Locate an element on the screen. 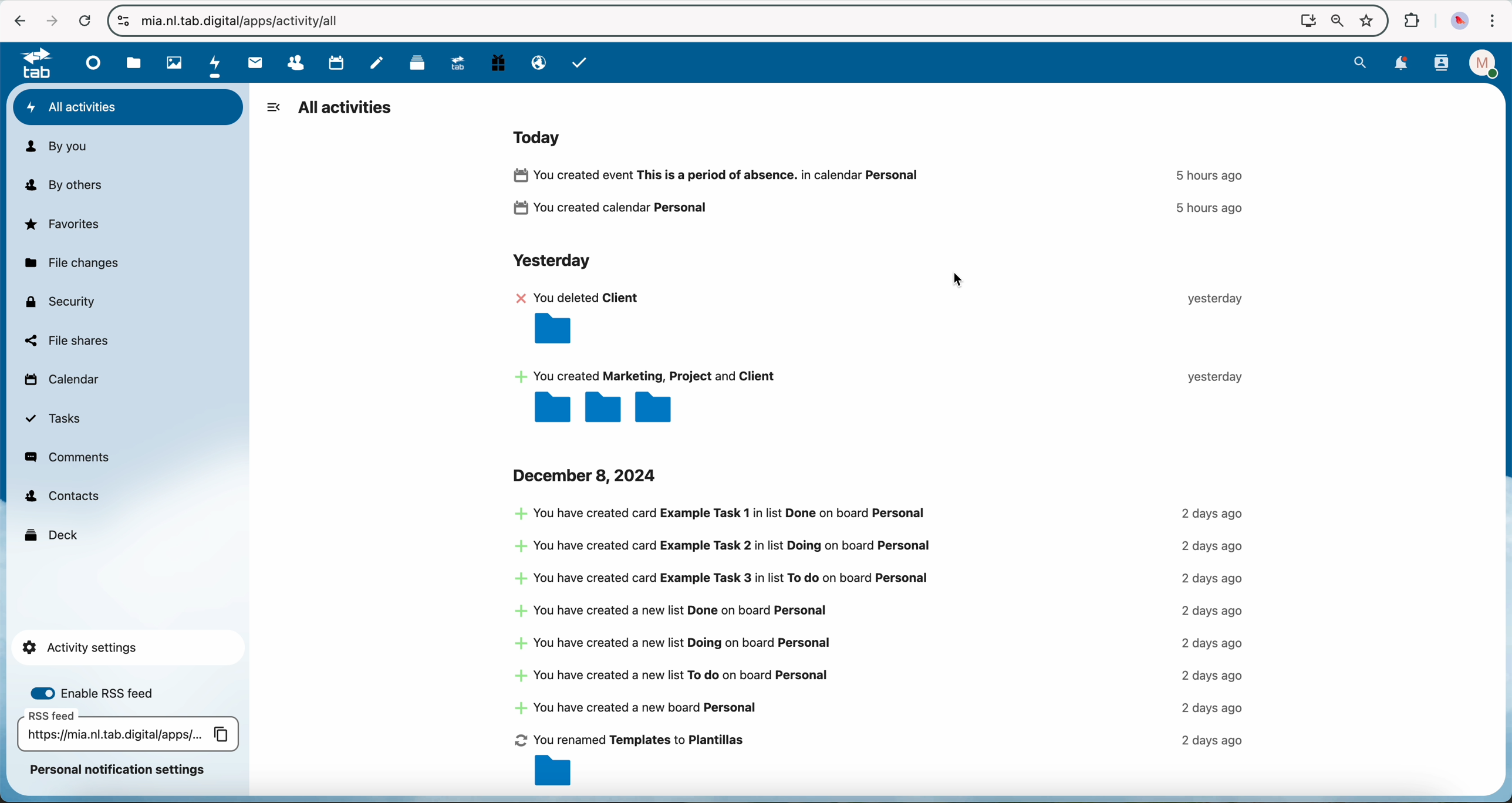 The height and width of the screenshot is (803, 1512). security is located at coordinates (59, 301).